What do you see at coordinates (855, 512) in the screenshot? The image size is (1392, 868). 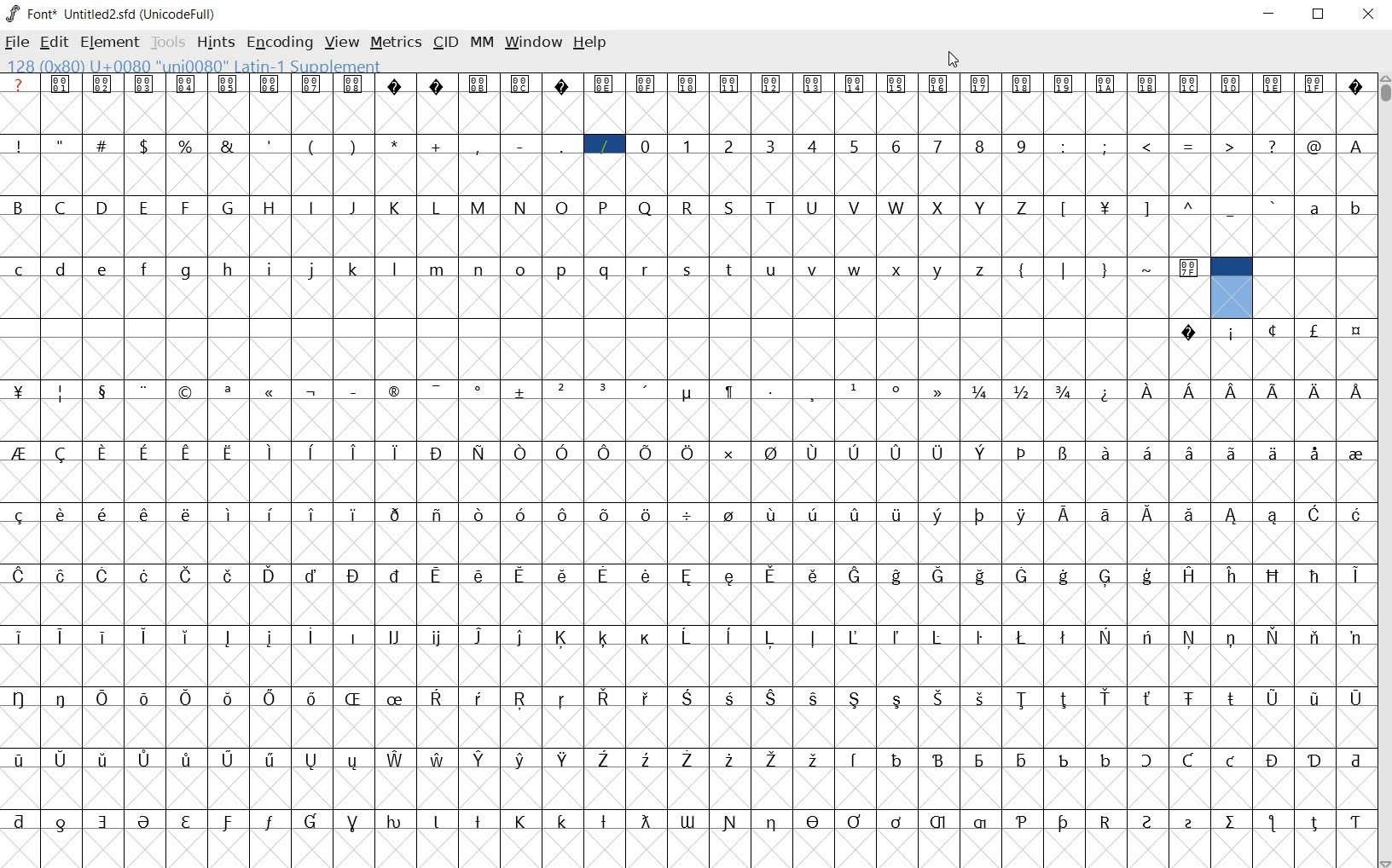 I see `Symbol` at bounding box center [855, 512].